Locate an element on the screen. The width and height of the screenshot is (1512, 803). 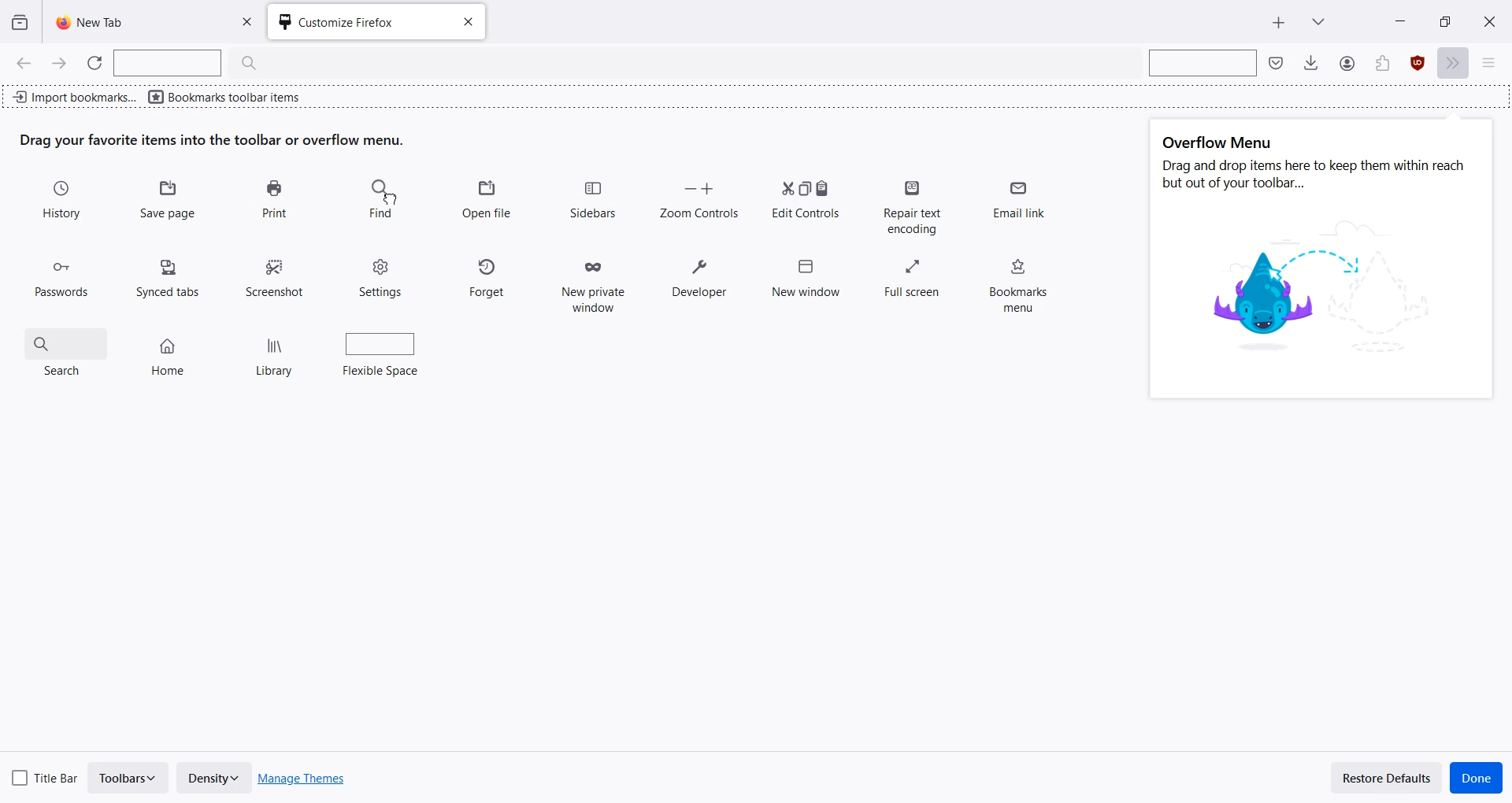
Downloads is located at coordinates (1311, 62).